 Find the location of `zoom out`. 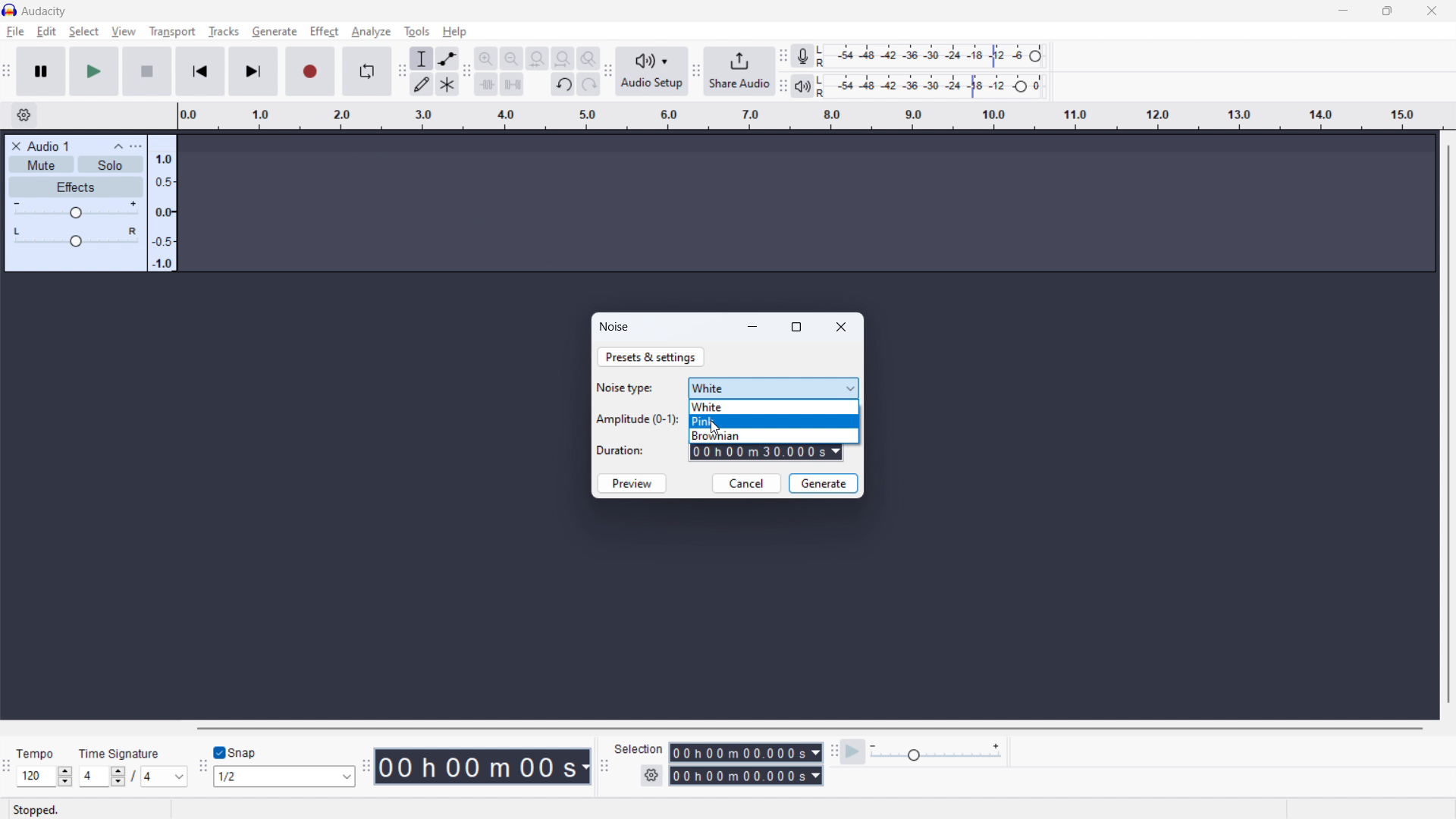

zoom out is located at coordinates (511, 58).